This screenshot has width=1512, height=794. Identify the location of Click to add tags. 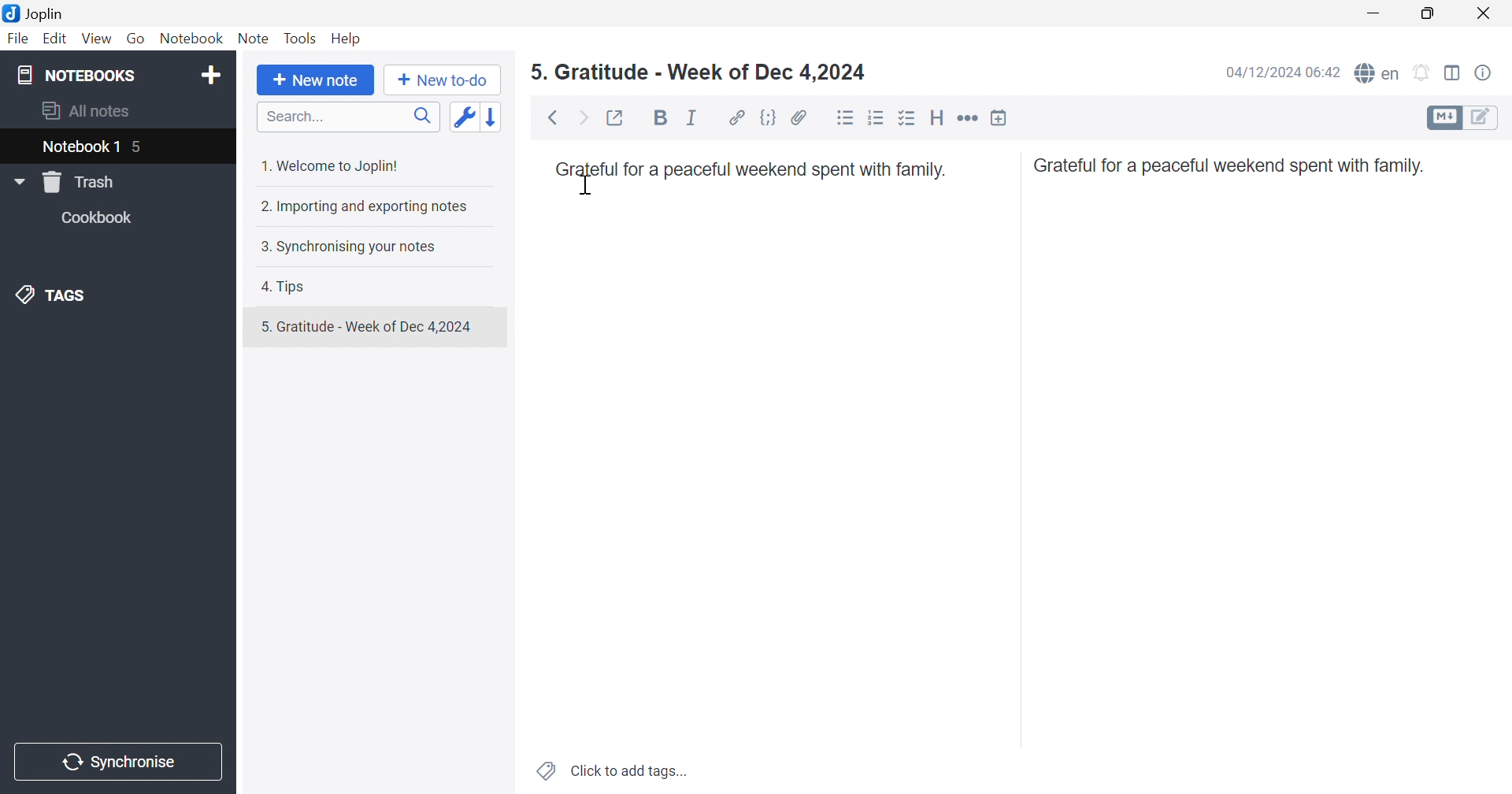
(609, 773).